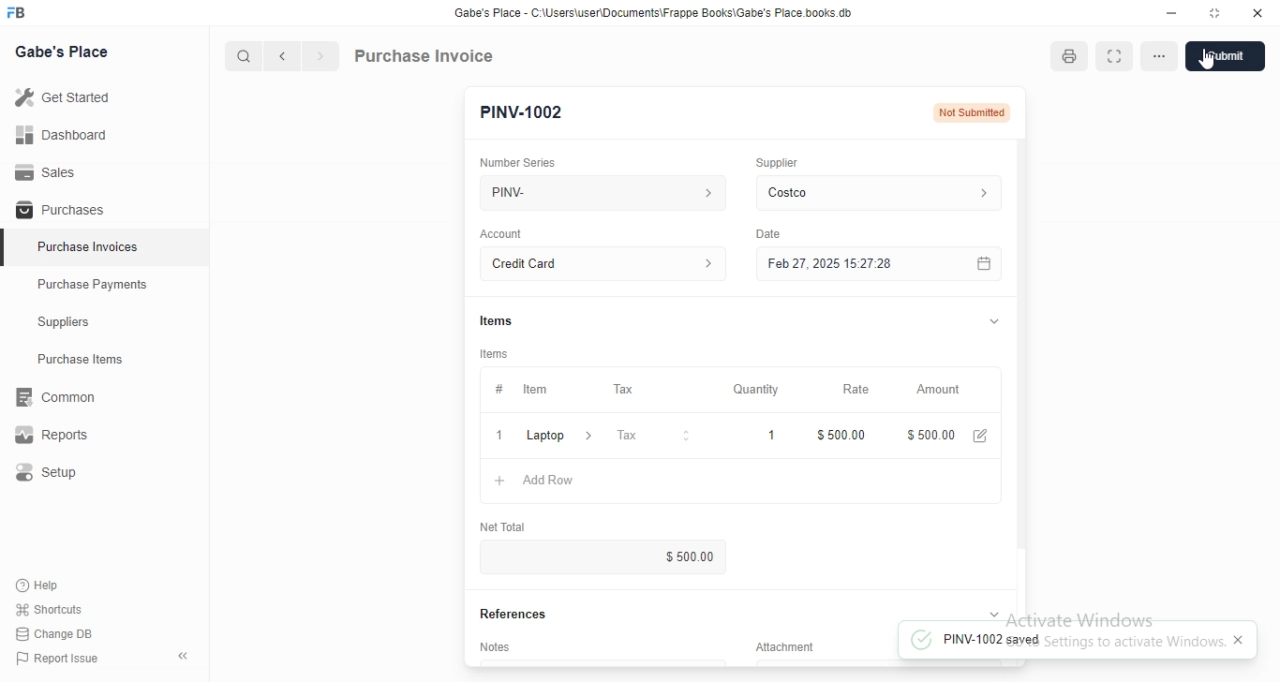 Image resolution: width=1280 pixels, height=682 pixels. I want to click on Purchase Items, so click(105, 359).